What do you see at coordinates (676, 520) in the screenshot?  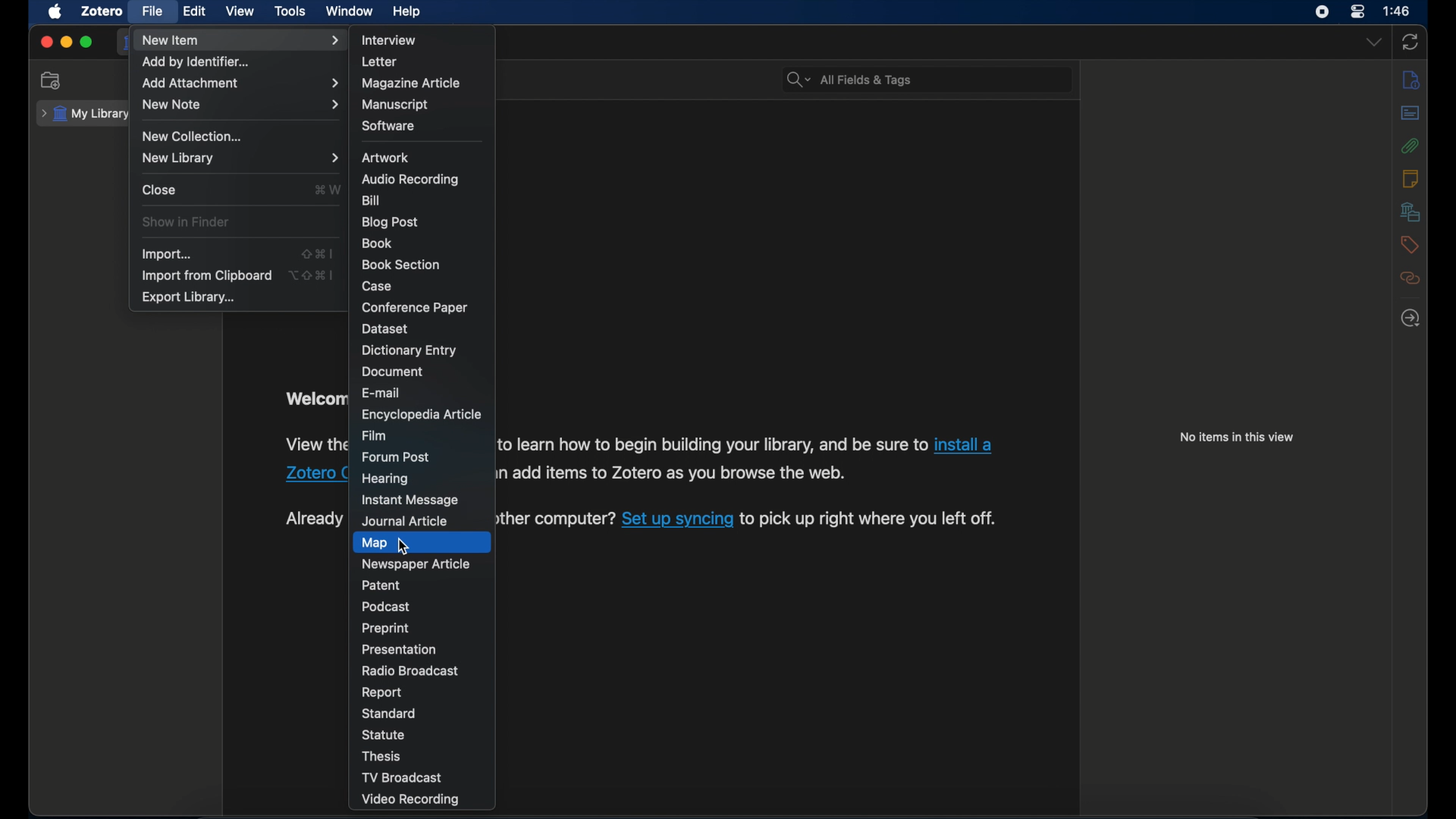 I see `Set up syncing` at bounding box center [676, 520].